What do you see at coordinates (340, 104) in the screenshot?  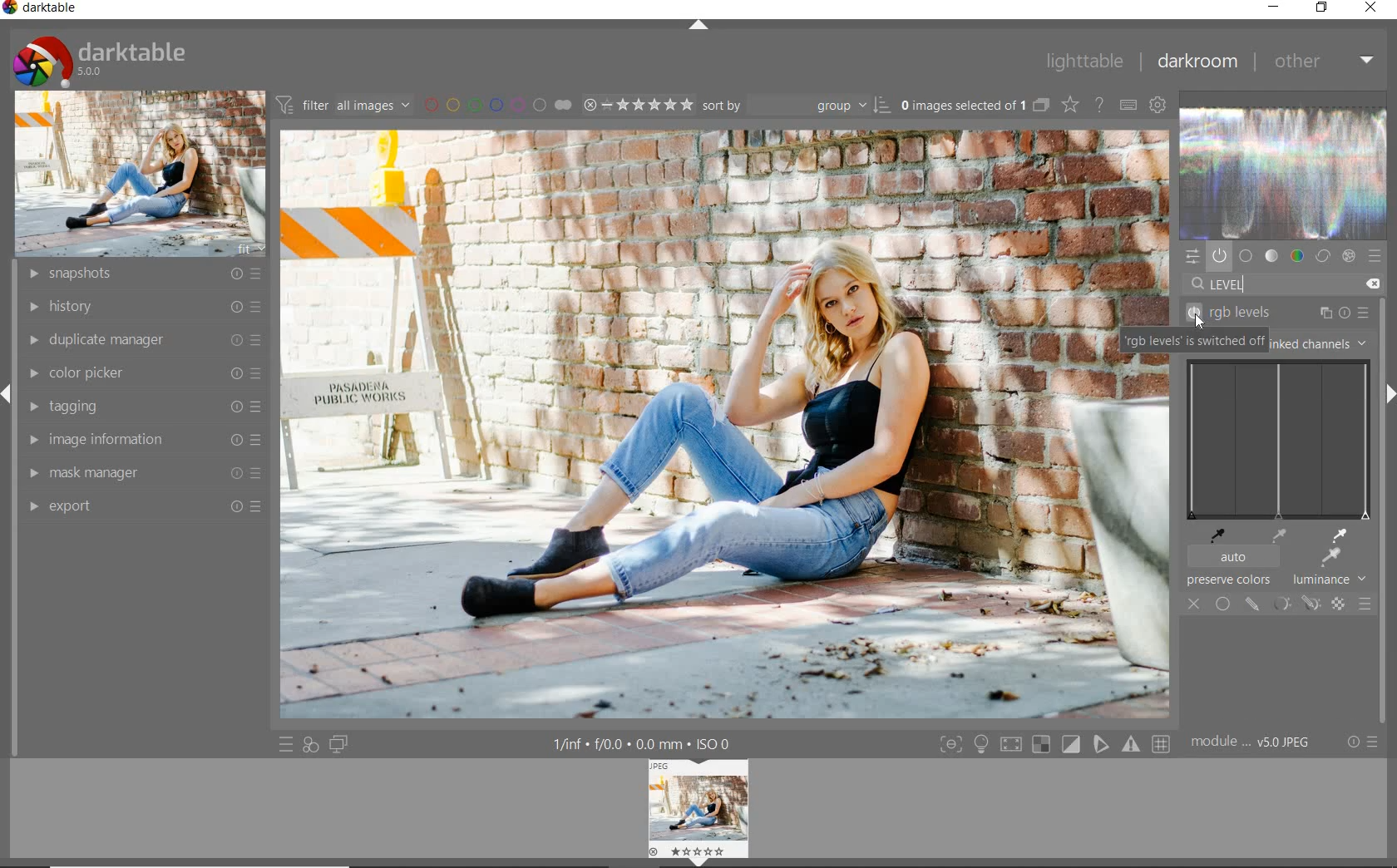 I see `filter all images` at bounding box center [340, 104].